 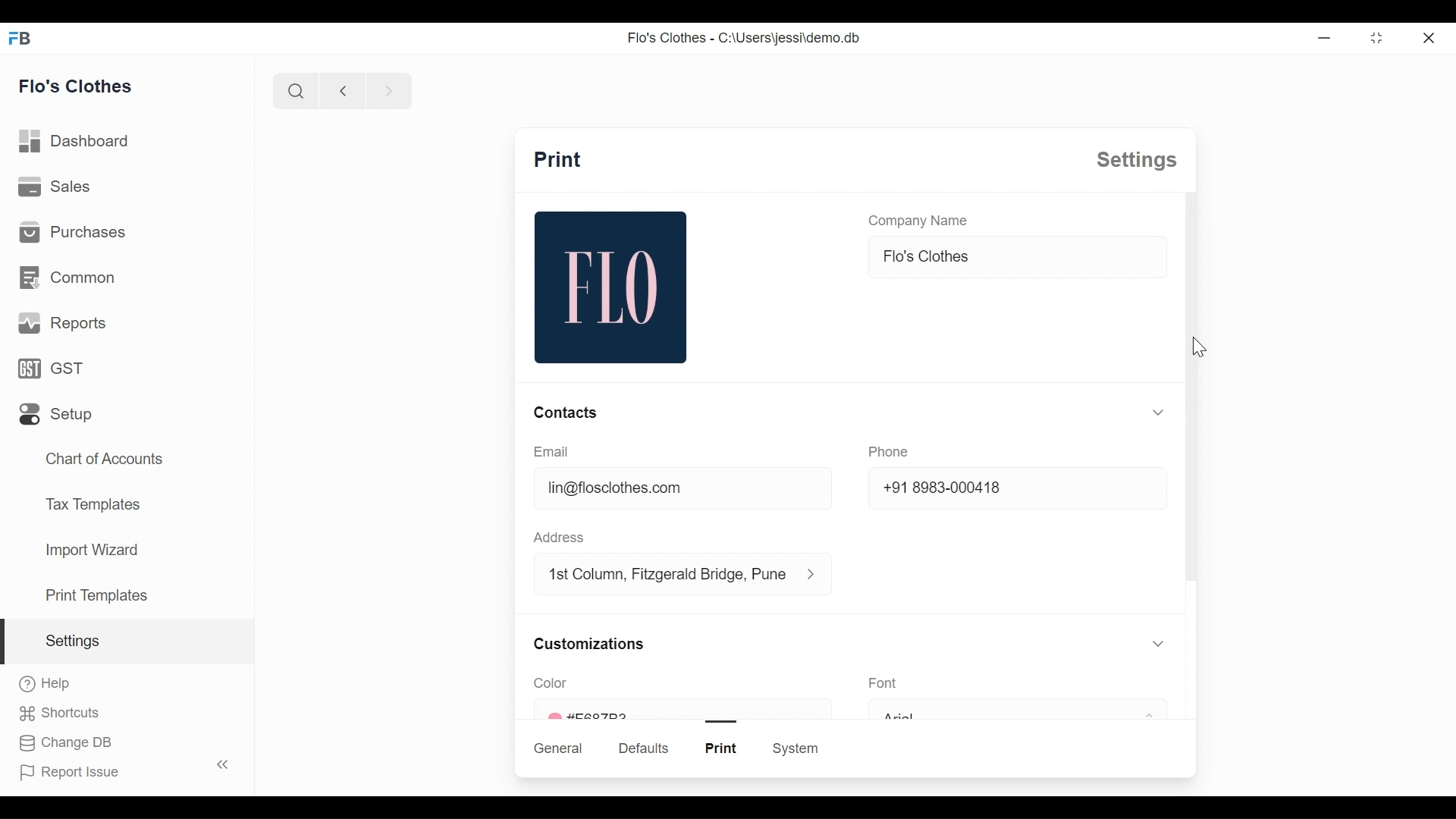 I want to click on address, so click(x=560, y=538).